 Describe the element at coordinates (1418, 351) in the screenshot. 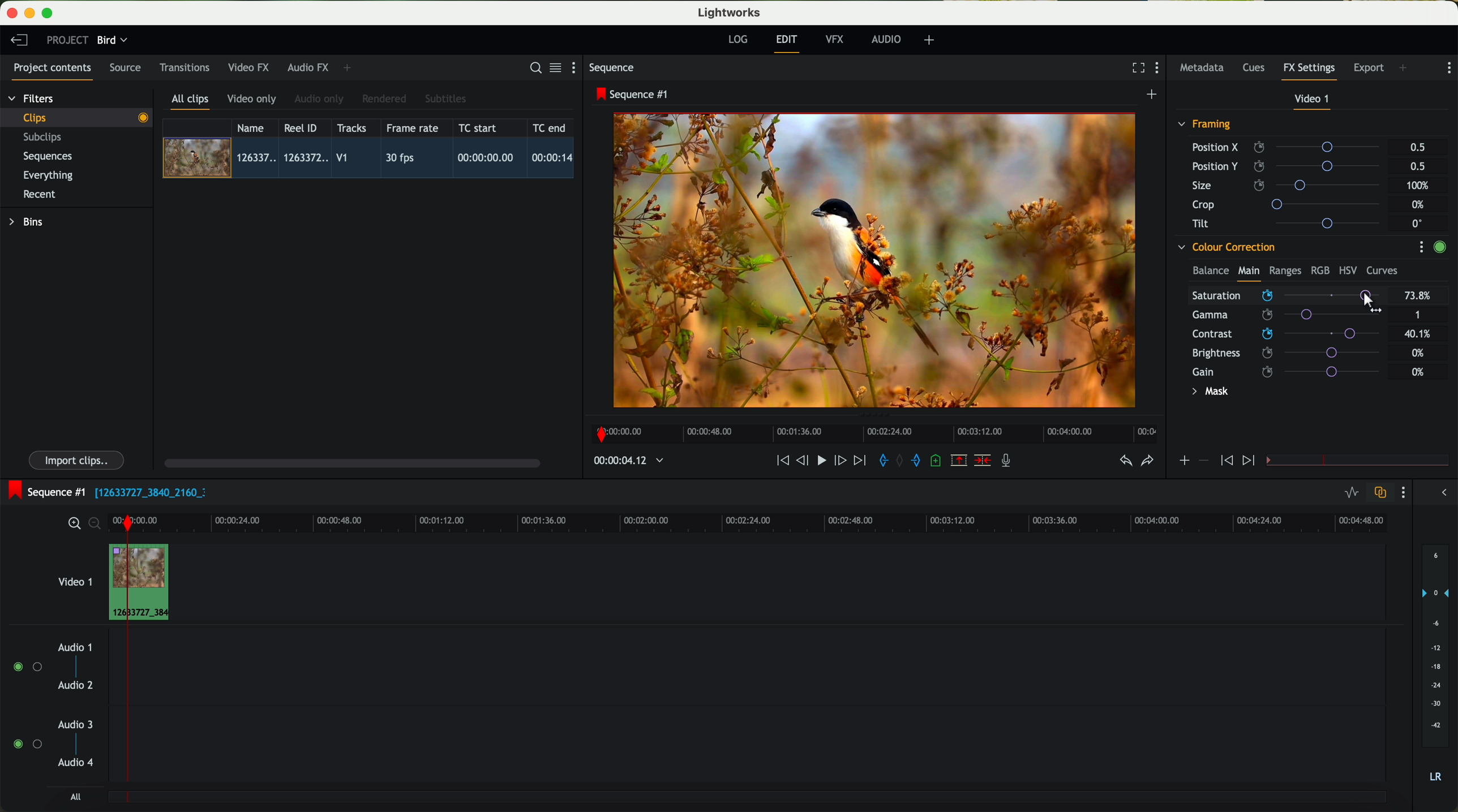

I see `0%` at that location.